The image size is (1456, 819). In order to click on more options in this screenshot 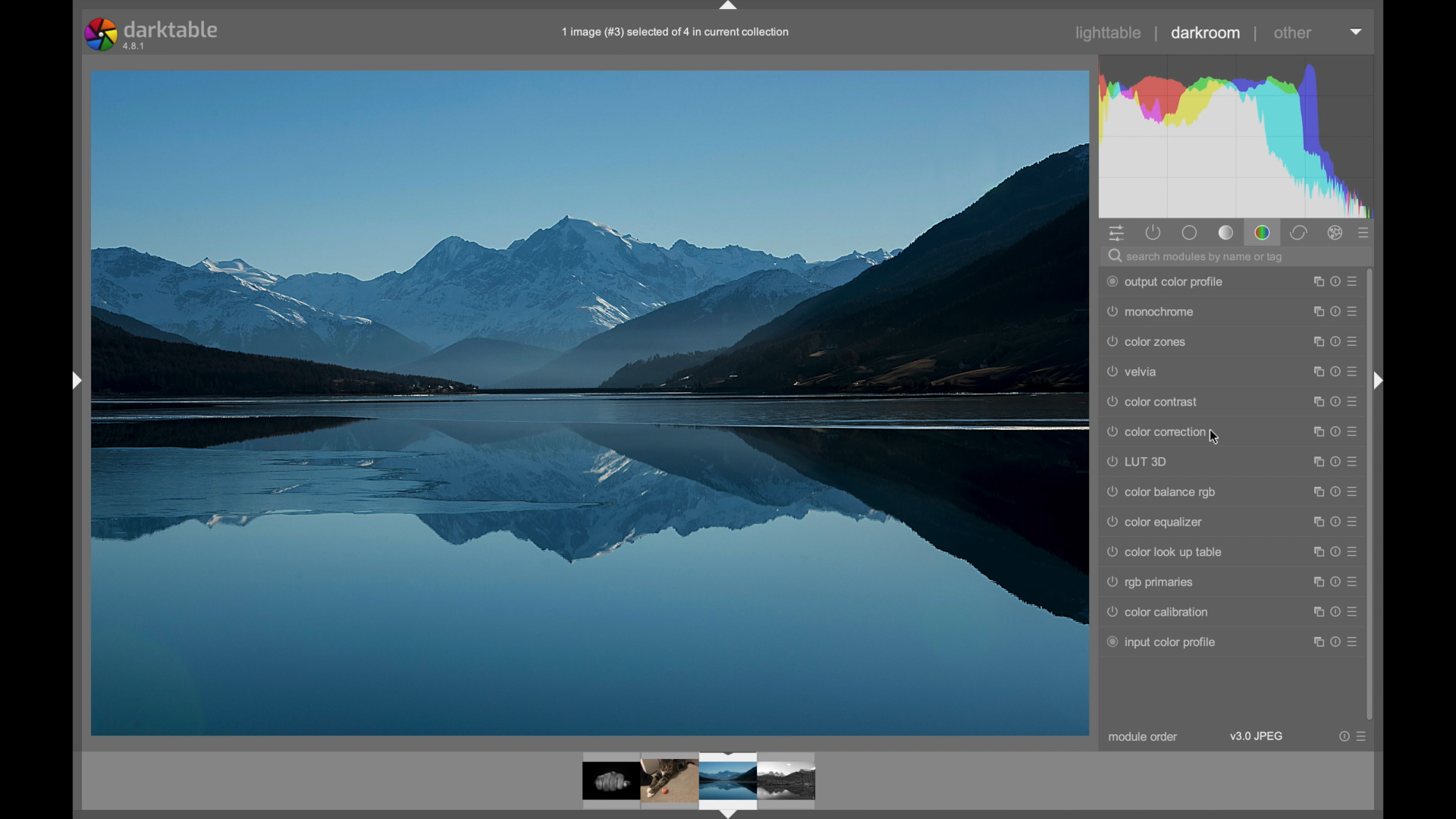, I will do `click(1334, 372)`.